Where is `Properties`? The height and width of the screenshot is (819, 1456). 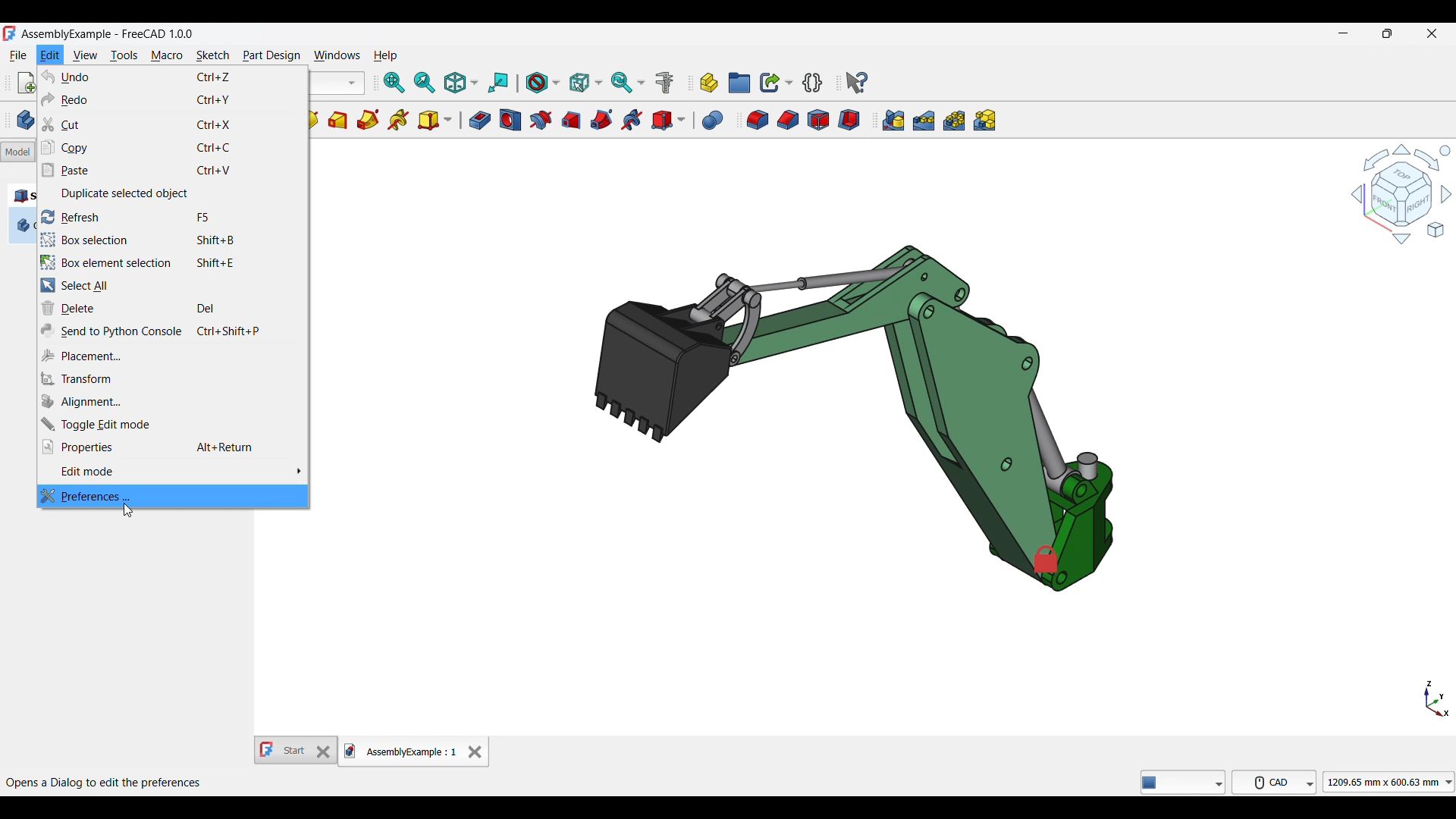 Properties is located at coordinates (172, 447).